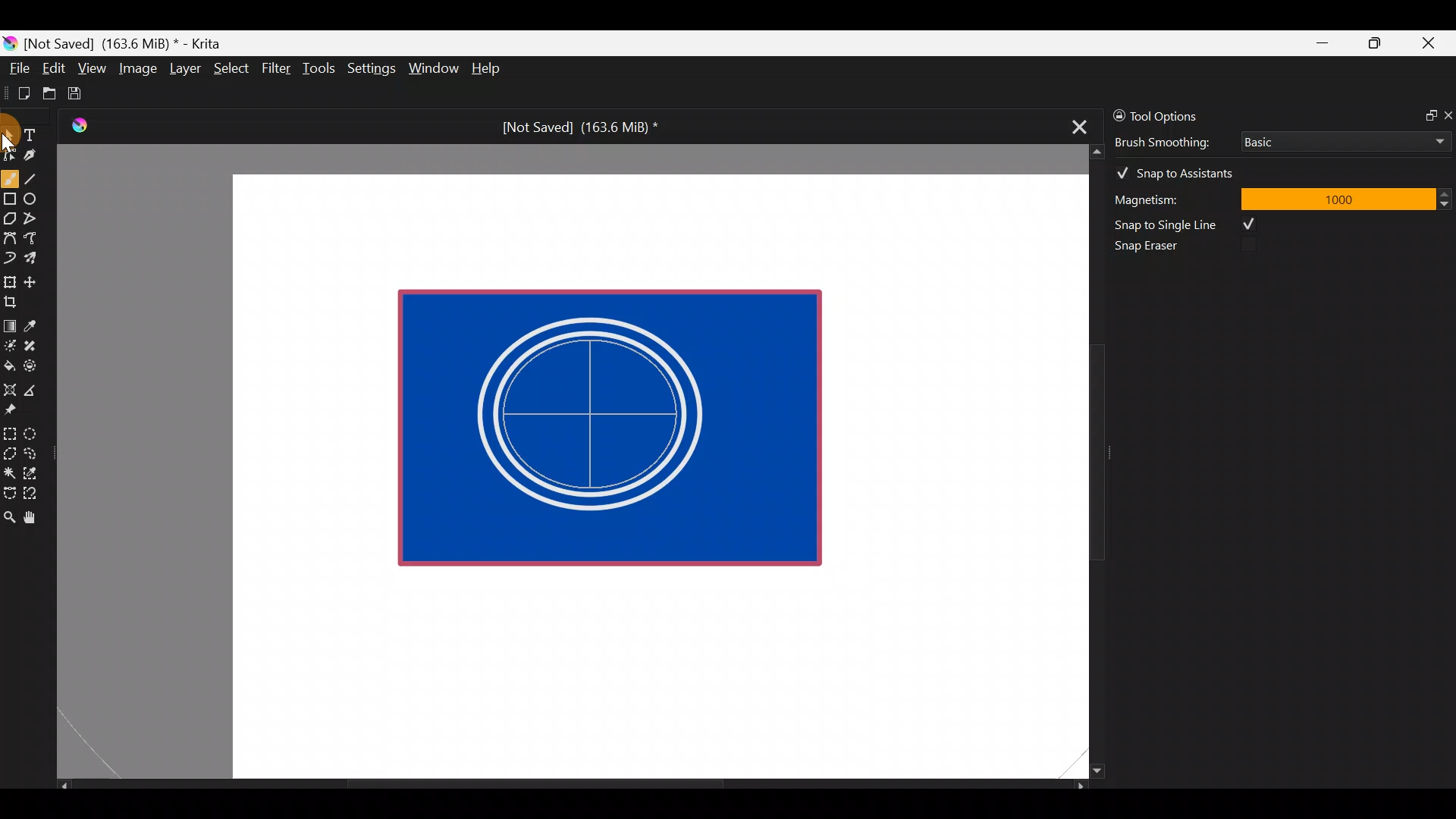  What do you see at coordinates (322, 69) in the screenshot?
I see `Tools` at bounding box center [322, 69].